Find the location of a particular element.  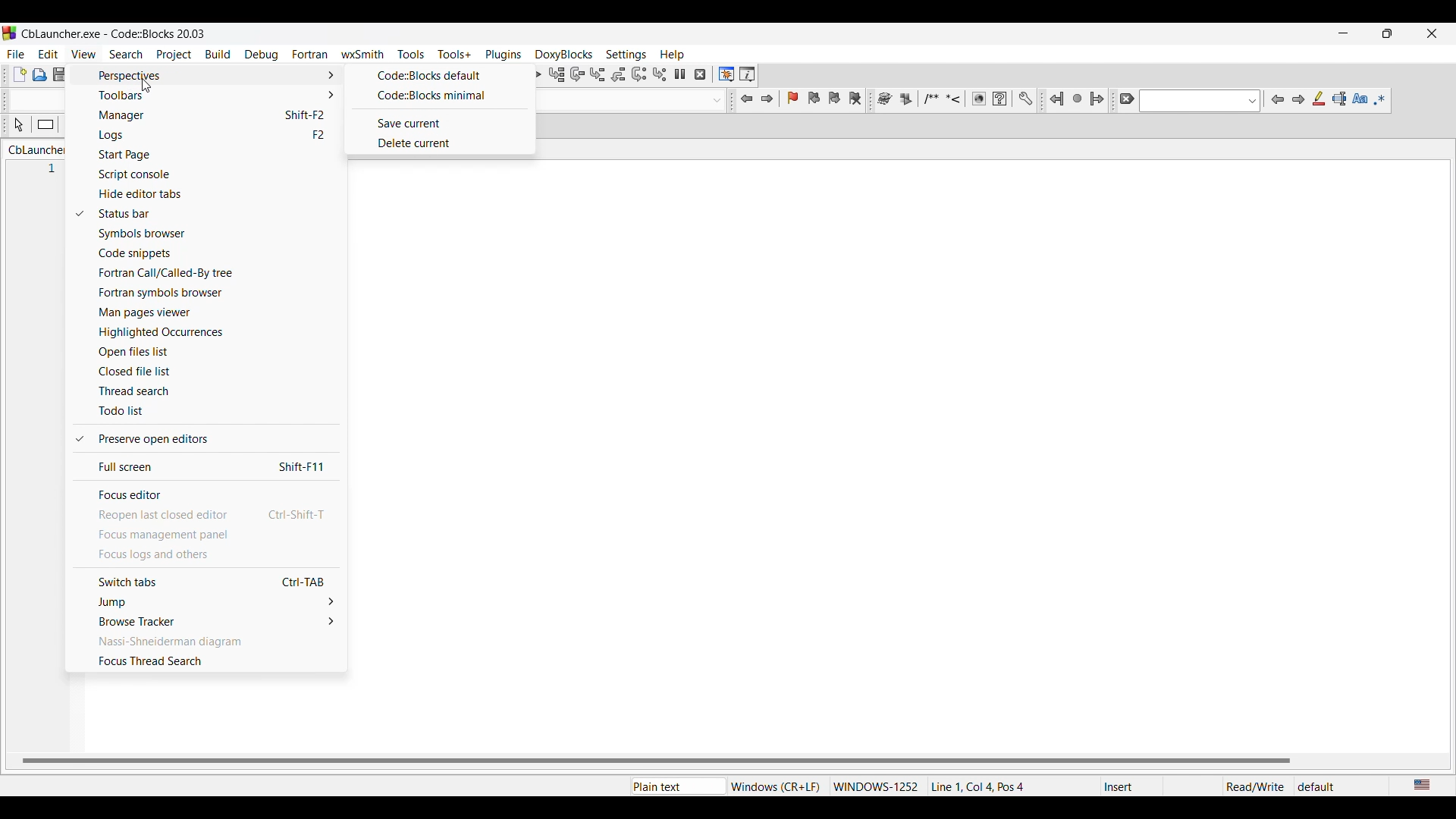

Horizontal slide bar is located at coordinates (657, 761).